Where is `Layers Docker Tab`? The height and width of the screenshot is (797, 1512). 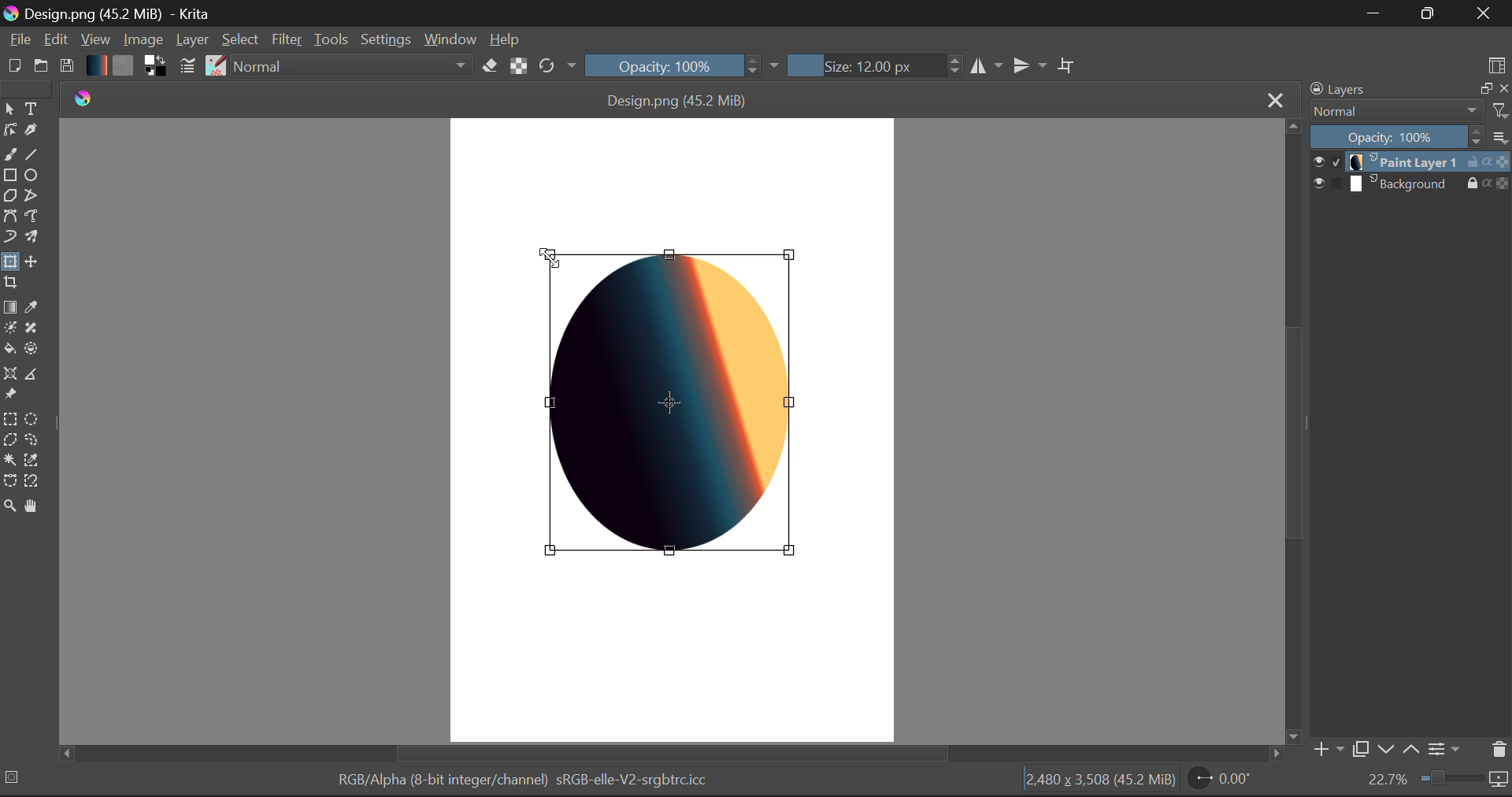
Layers Docker Tab is located at coordinates (1409, 89).